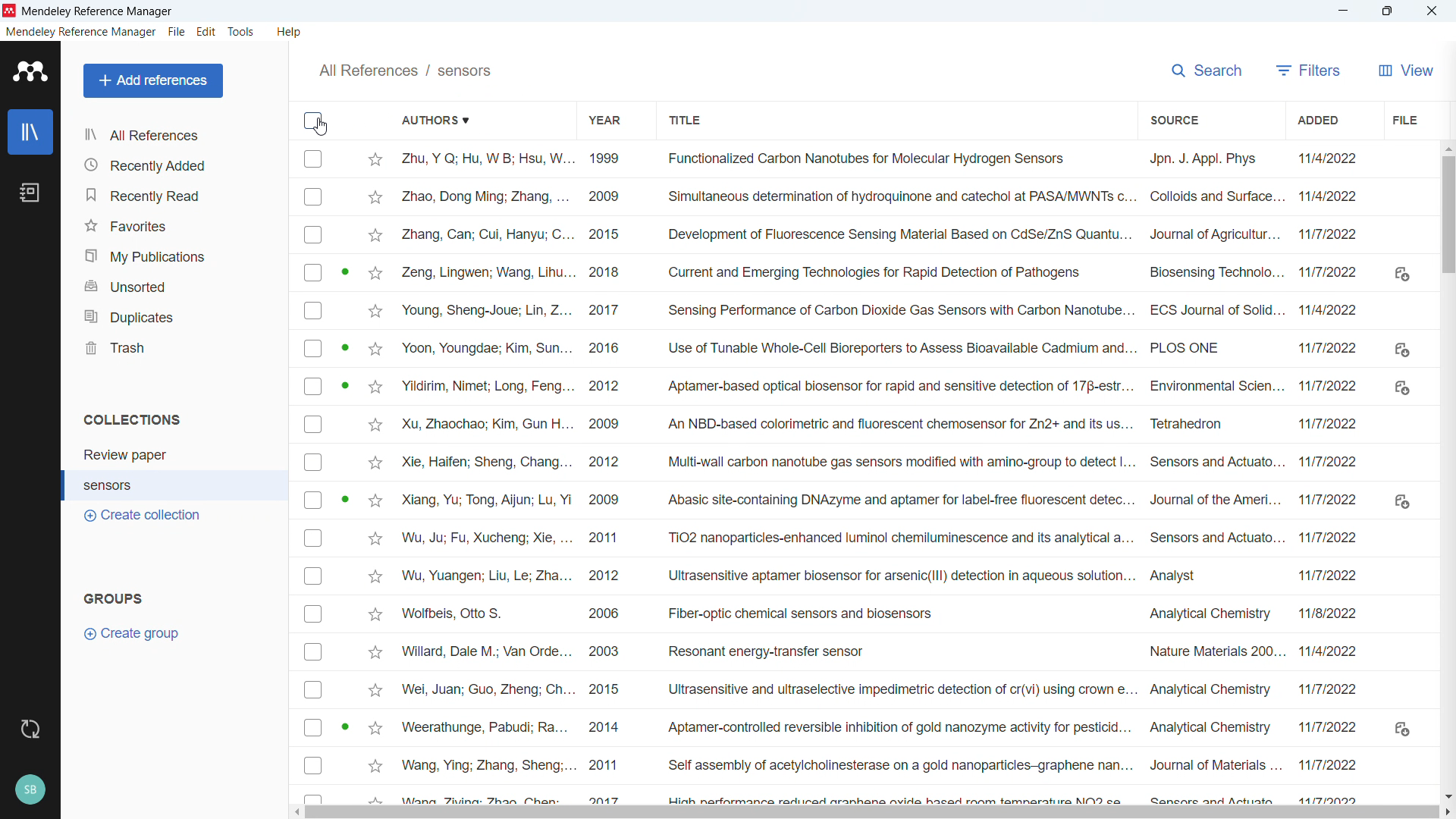  I want to click on collection 1, so click(174, 453).